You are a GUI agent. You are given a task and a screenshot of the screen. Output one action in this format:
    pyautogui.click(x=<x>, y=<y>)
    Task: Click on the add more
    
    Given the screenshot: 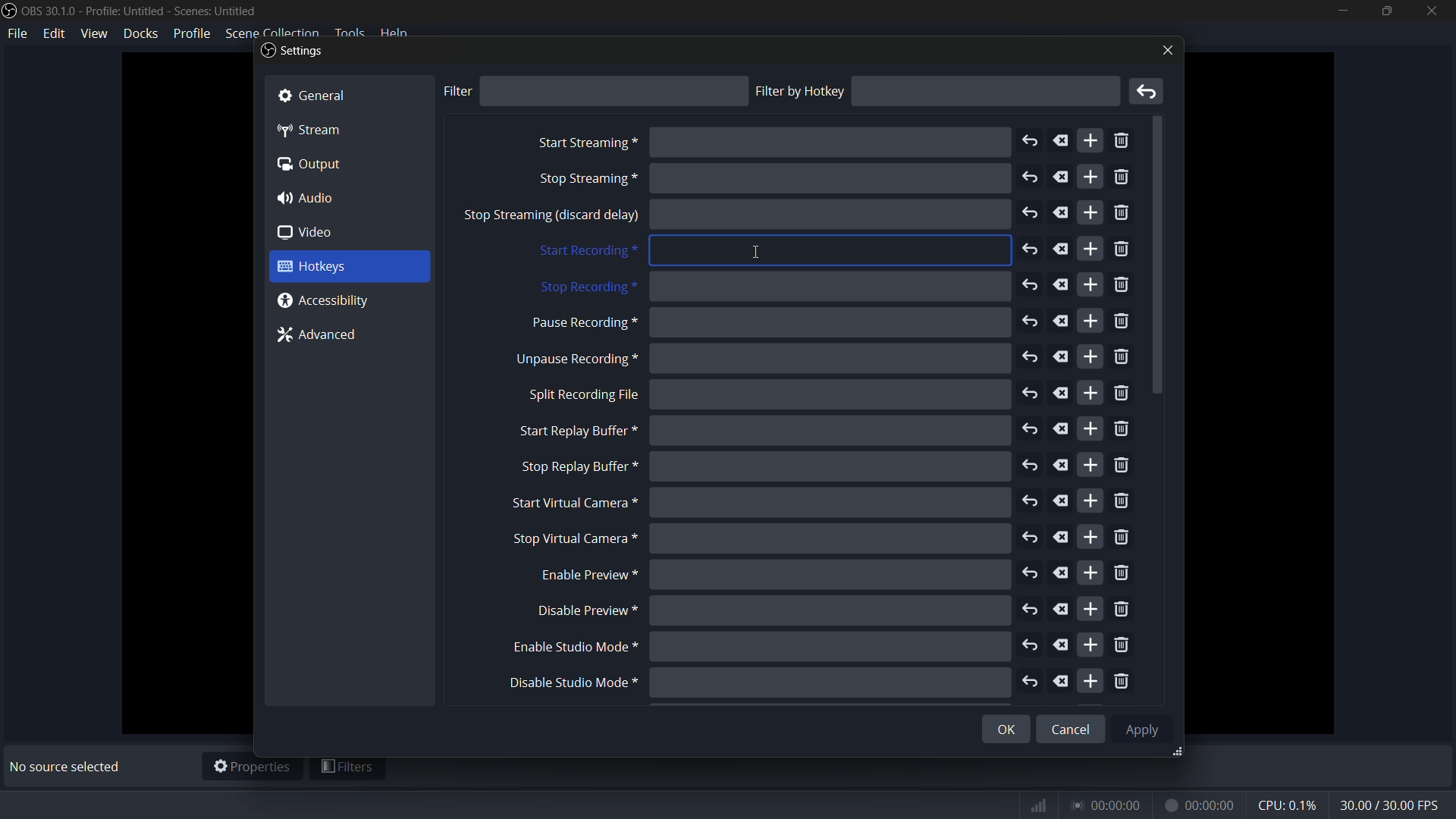 What is the action you would take?
    pyautogui.click(x=1091, y=392)
    